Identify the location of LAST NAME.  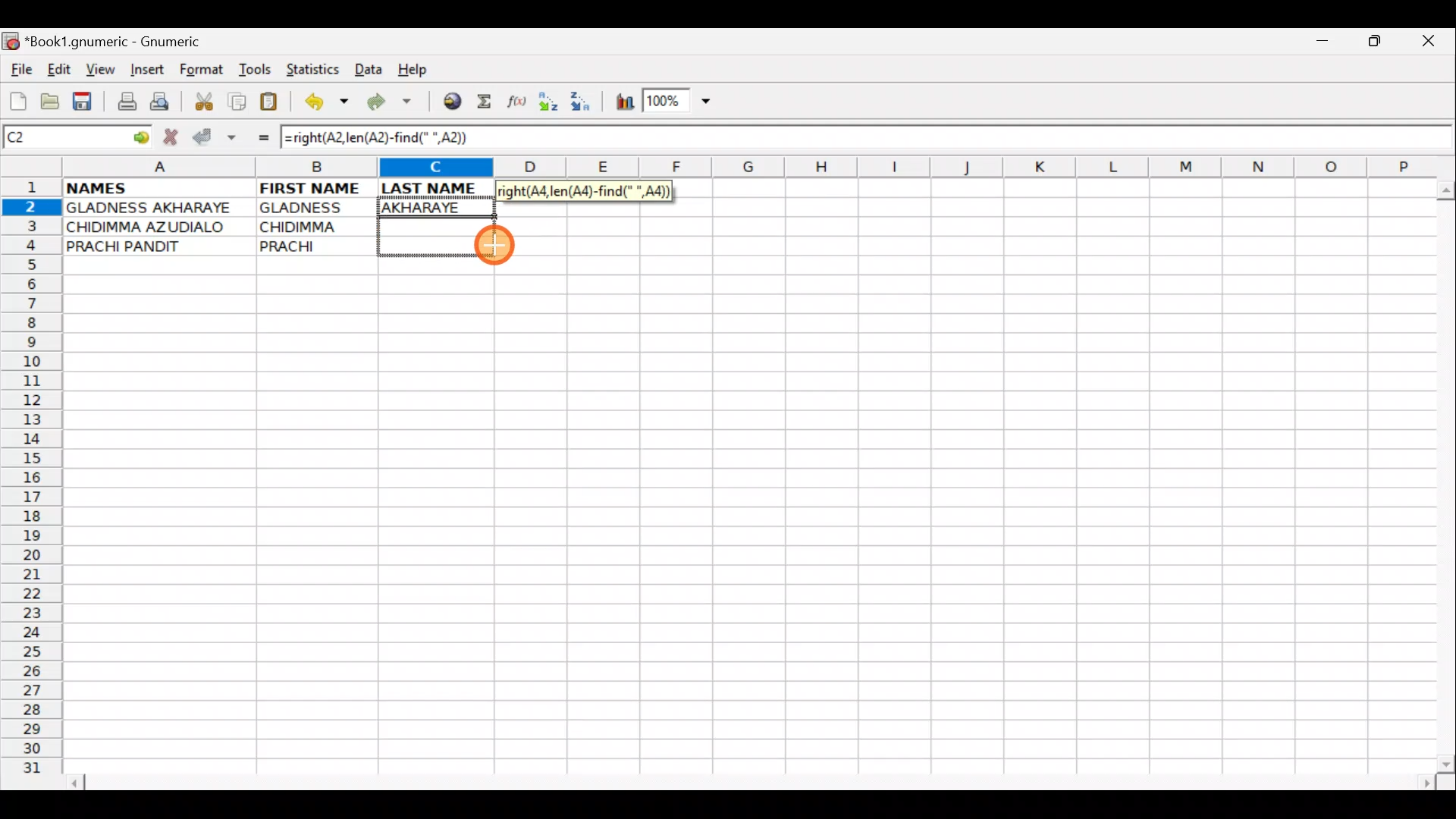
(438, 188).